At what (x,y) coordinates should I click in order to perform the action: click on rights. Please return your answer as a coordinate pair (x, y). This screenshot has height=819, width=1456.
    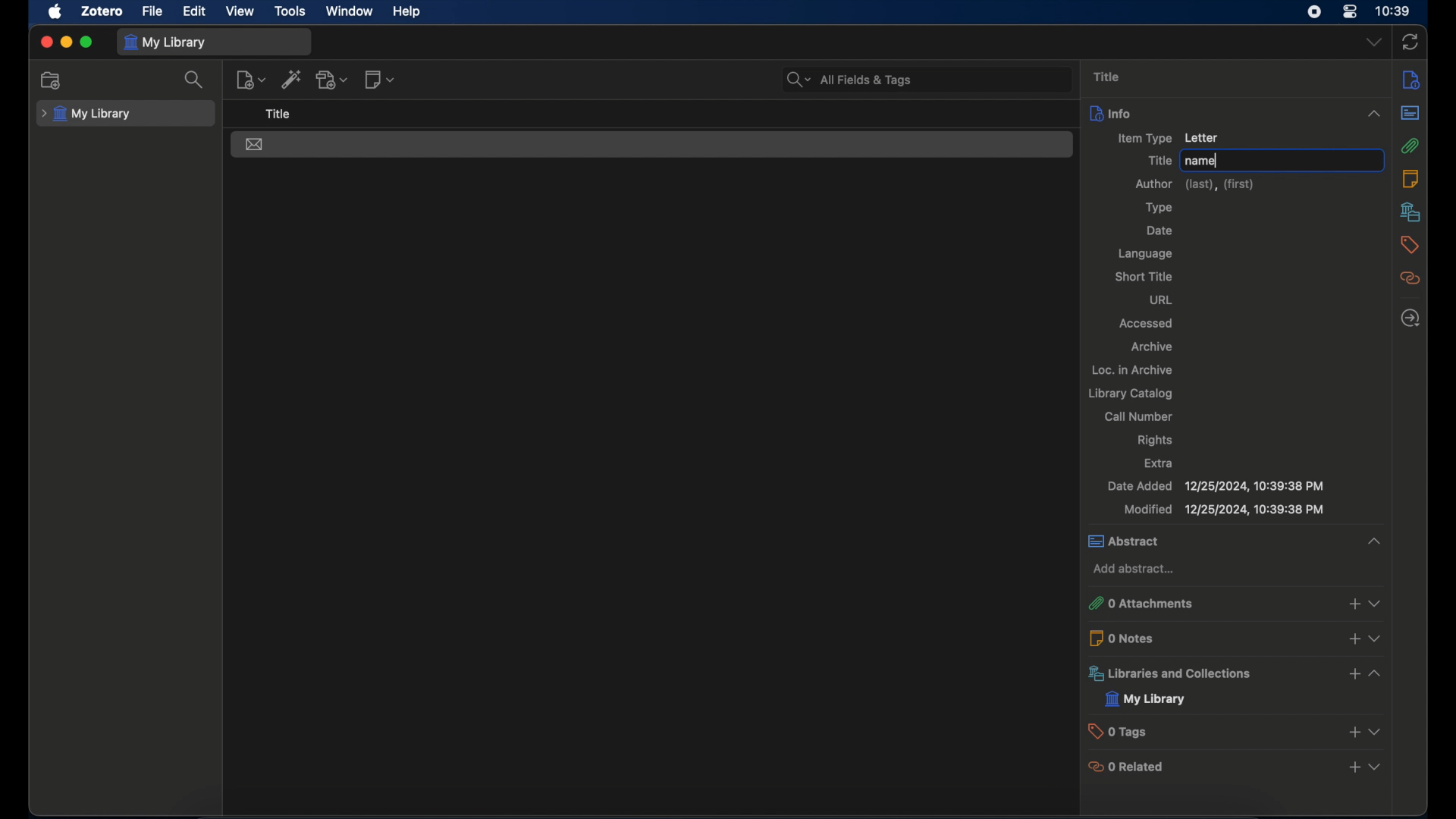
    Looking at the image, I should click on (1156, 441).